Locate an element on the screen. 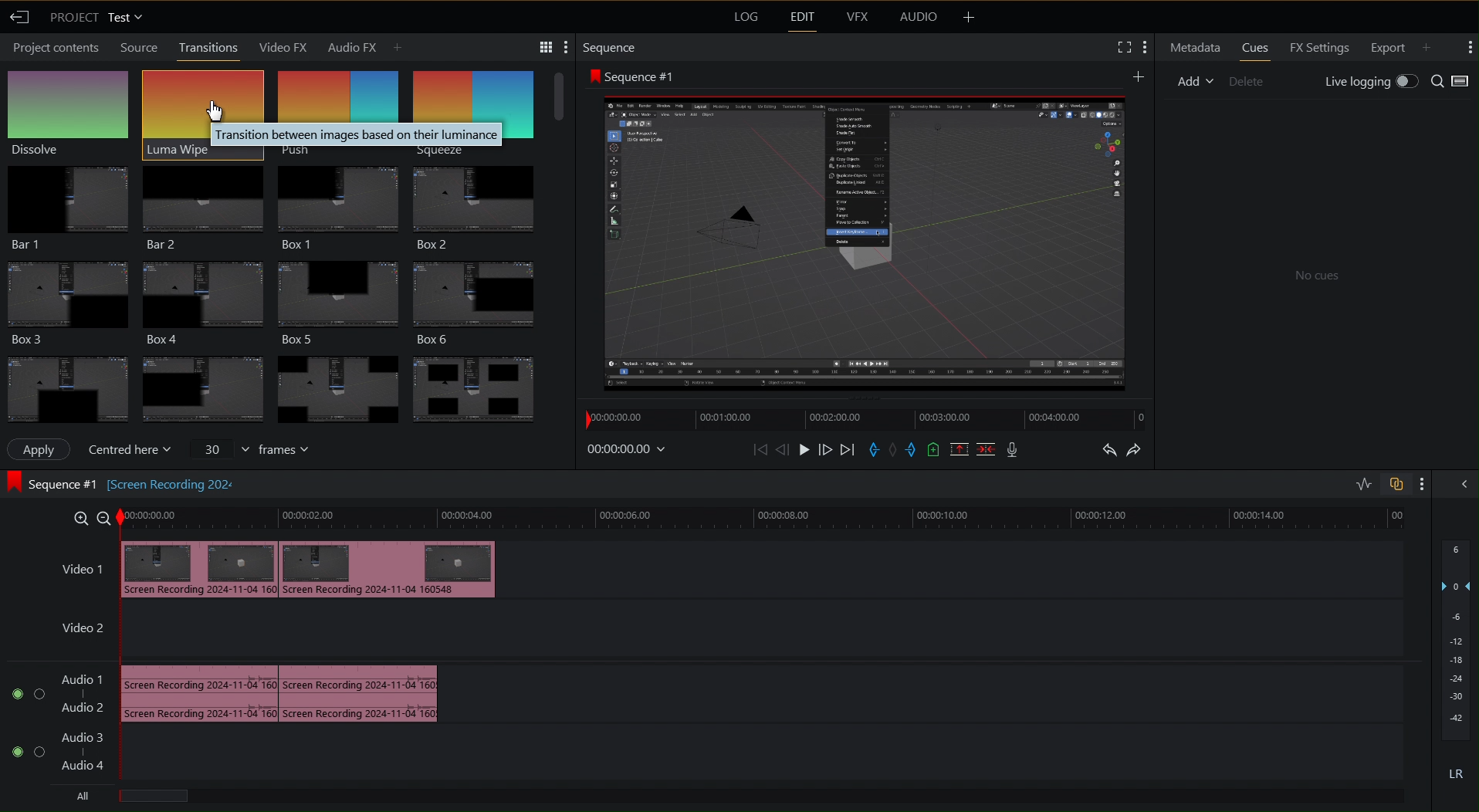 This screenshot has height=812, width=1479. More is located at coordinates (1421, 485).